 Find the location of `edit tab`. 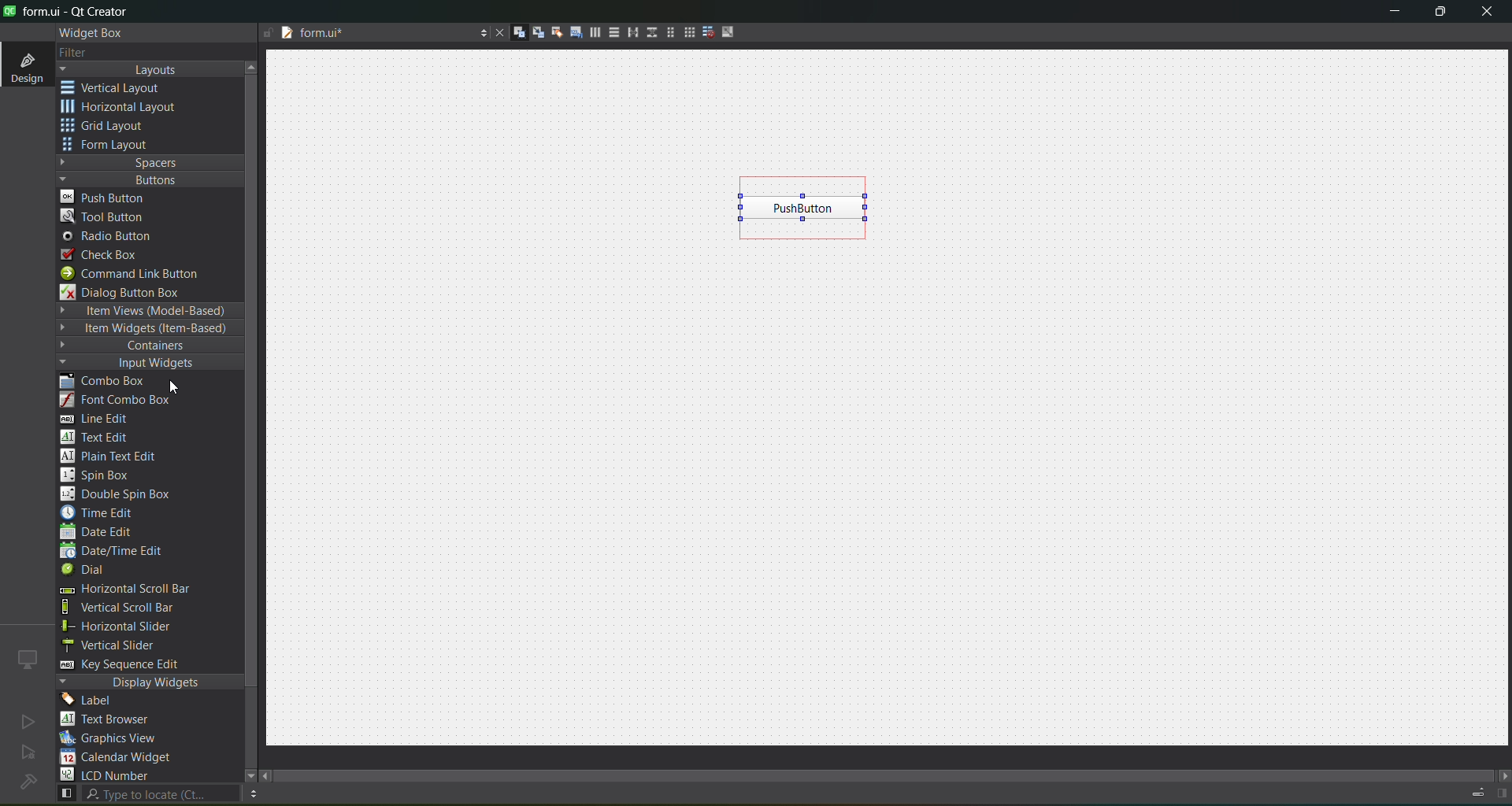

edit tab is located at coordinates (570, 35).